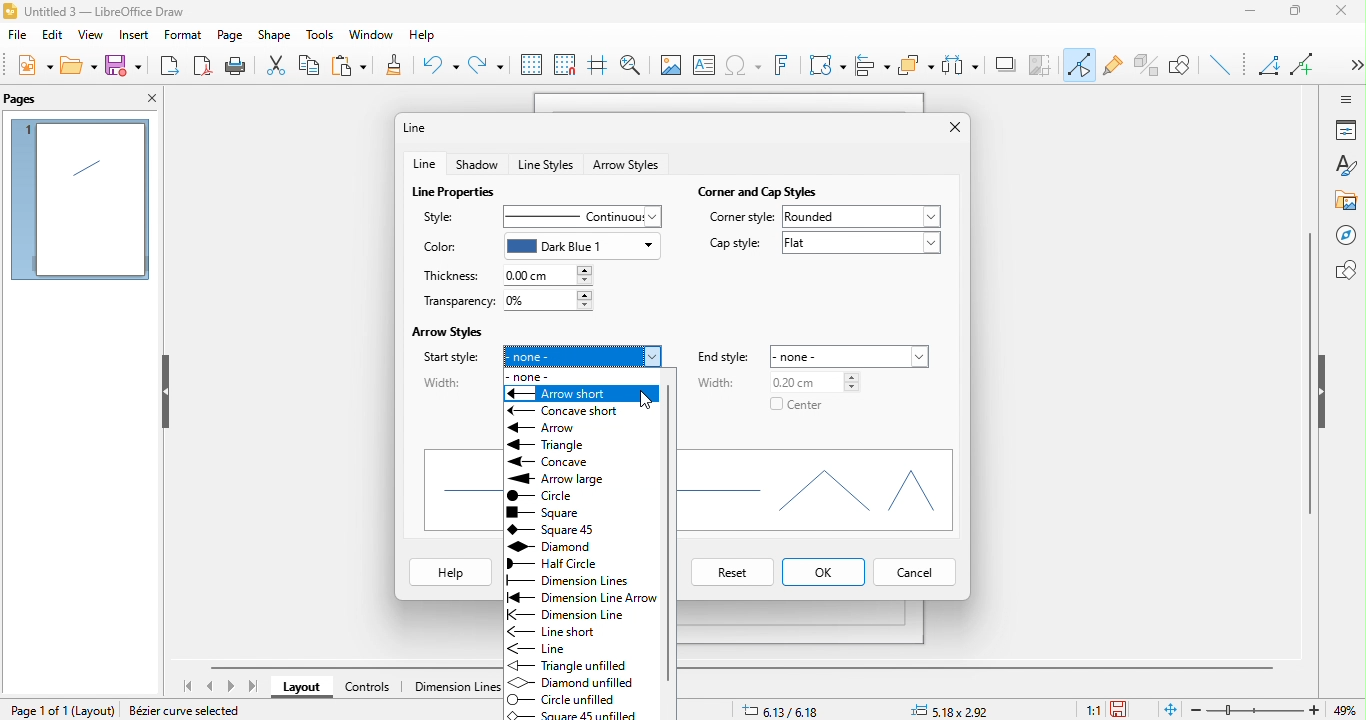 This screenshot has height=720, width=1366. What do you see at coordinates (422, 127) in the screenshot?
I see `line` at bounding box center [422, 127].